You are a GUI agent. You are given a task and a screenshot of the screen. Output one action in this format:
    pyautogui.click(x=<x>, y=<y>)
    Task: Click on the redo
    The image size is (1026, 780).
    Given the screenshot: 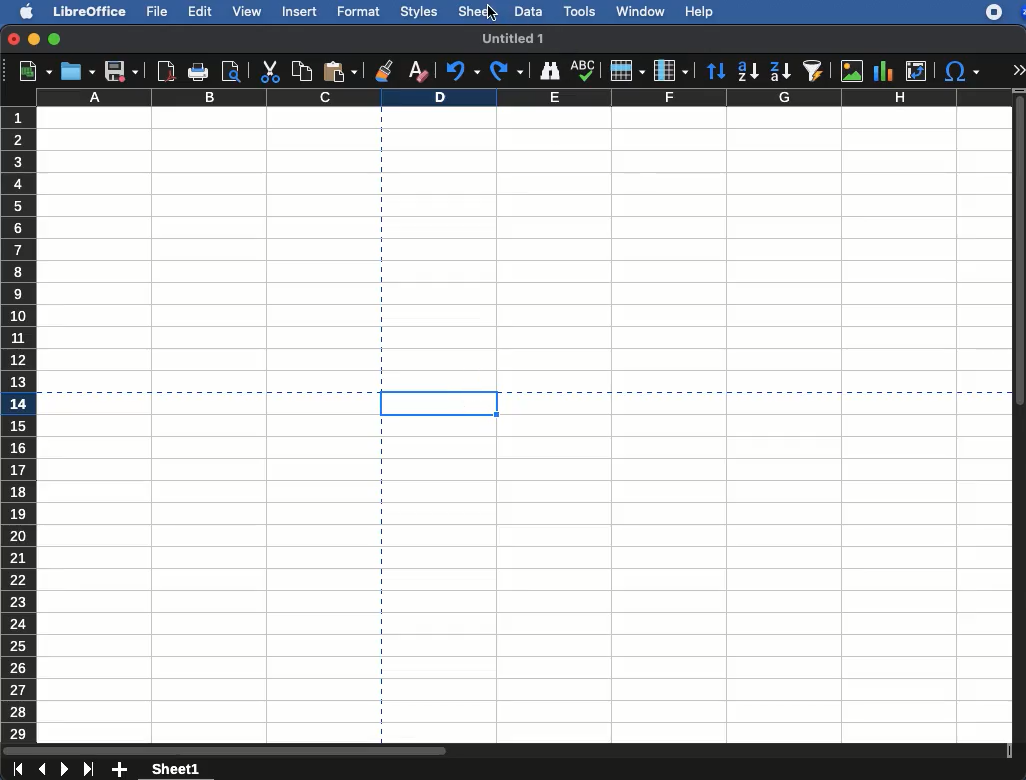 What is the action you would take?
    pyautogui.click(x=508, y=71)
    